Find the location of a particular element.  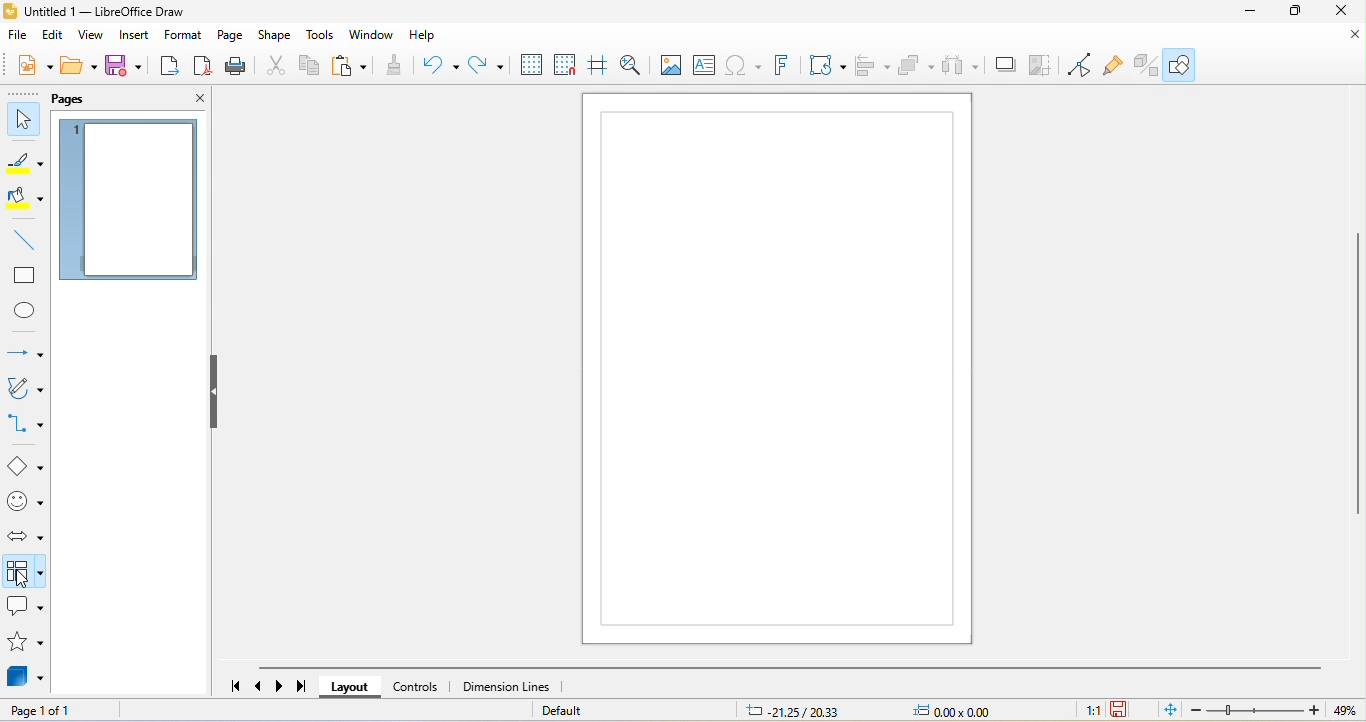

image is located at coordinates (672, 66).